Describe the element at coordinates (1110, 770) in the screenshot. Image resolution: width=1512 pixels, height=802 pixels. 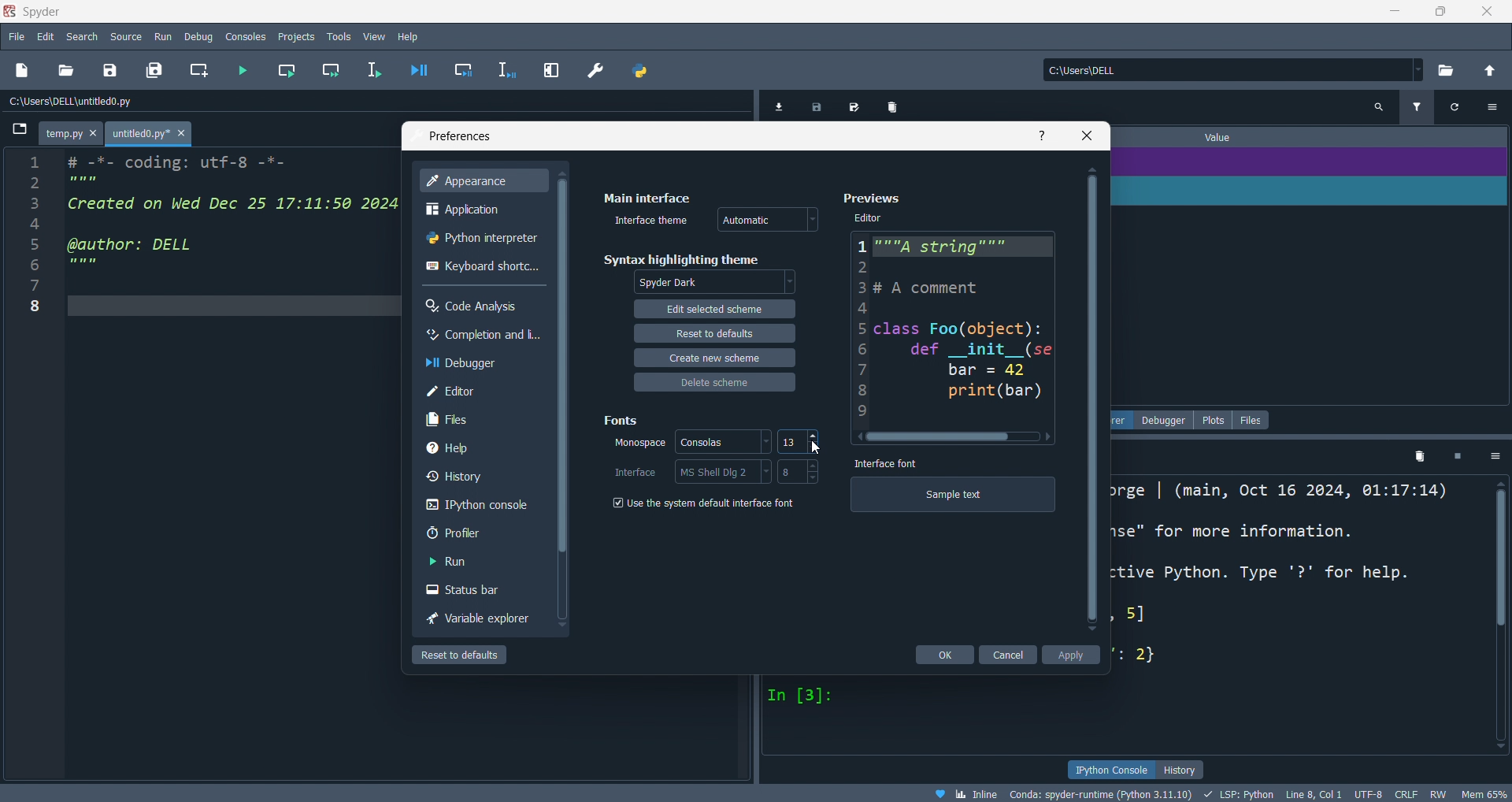
I see `ipython console` at that location.